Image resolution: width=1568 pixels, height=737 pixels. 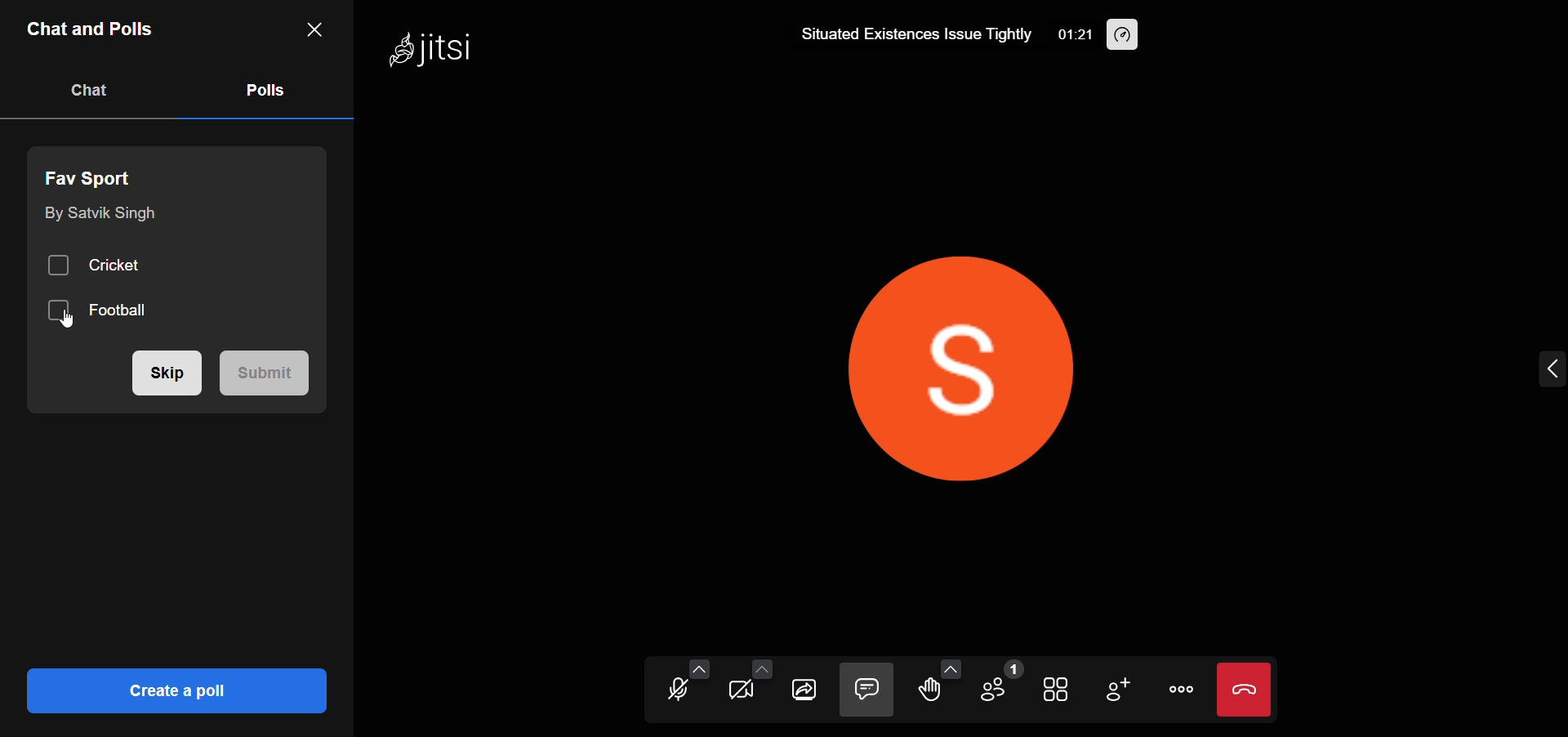 I want to click on invite people, so click(x=1122, y=687).